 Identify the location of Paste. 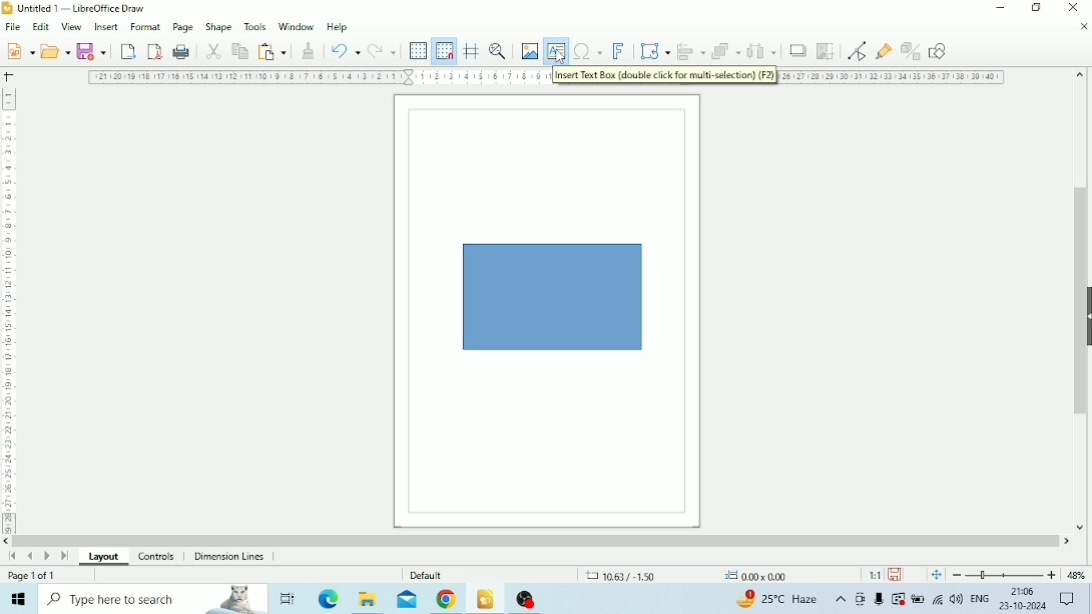
(272, 52).